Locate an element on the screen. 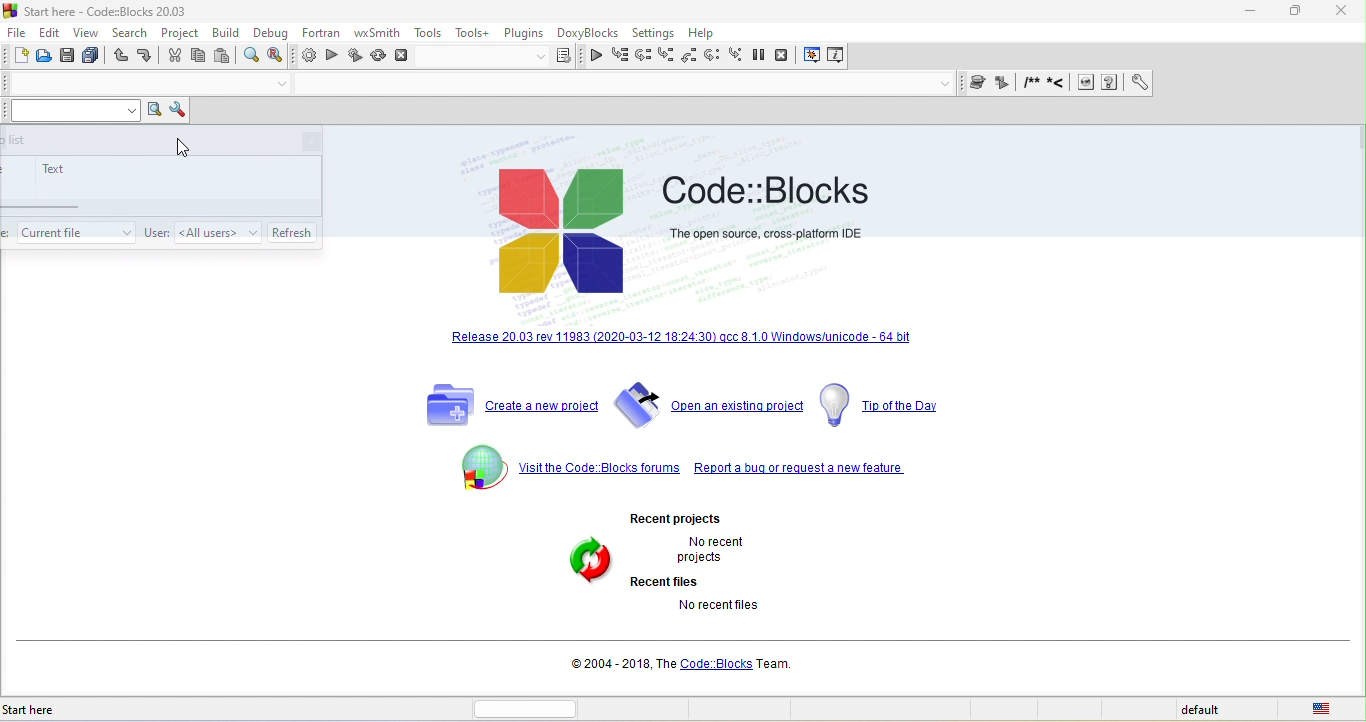 This screenshot has width=1366, height=722. cursor is located at coordinates (294, 229).